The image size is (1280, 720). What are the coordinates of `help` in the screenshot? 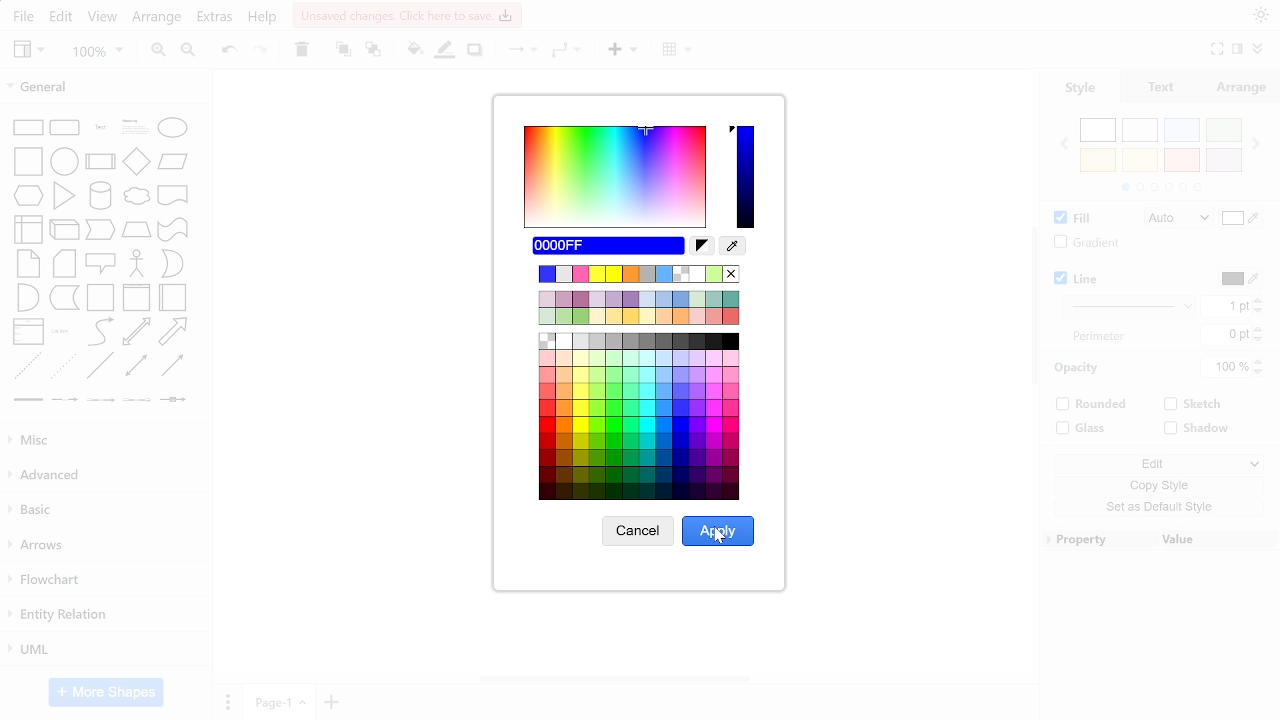 It's located at (263, 19).